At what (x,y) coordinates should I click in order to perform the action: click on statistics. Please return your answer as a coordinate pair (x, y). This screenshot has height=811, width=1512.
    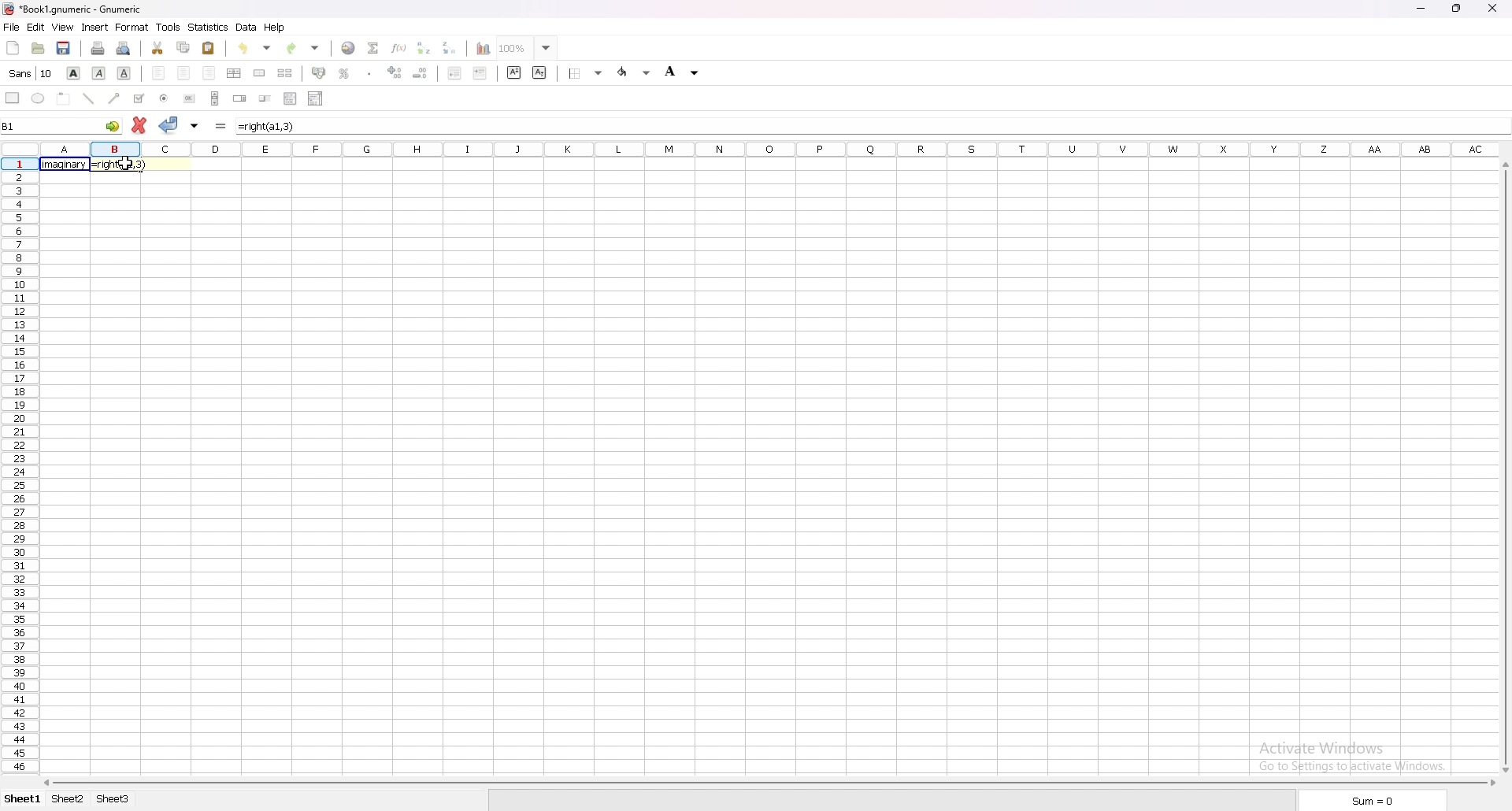
    Looking at the image, I should click on (209, 28).